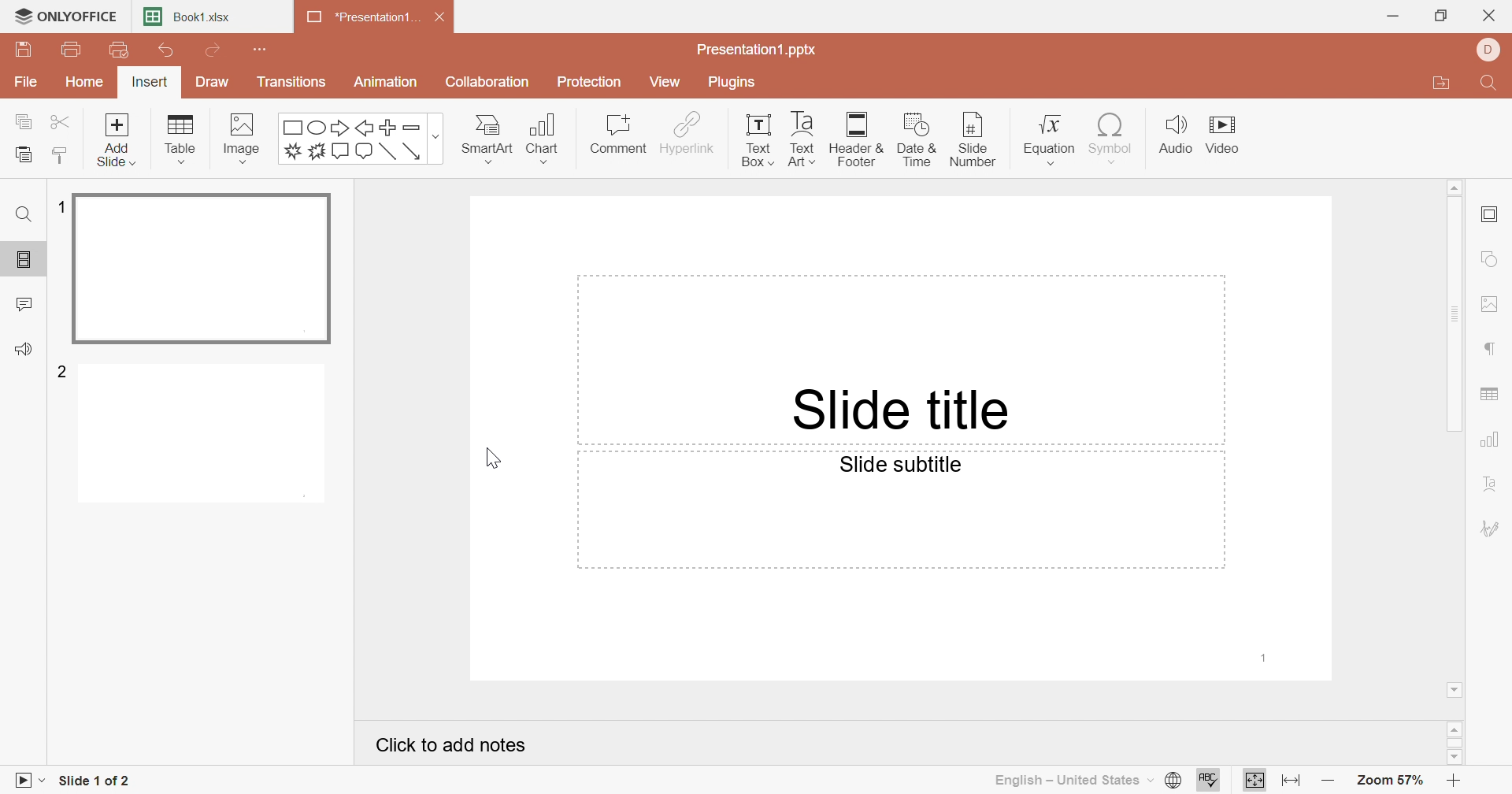 The image size is (1512, 794). I want to click on Chart settings, so click(1492, 440).